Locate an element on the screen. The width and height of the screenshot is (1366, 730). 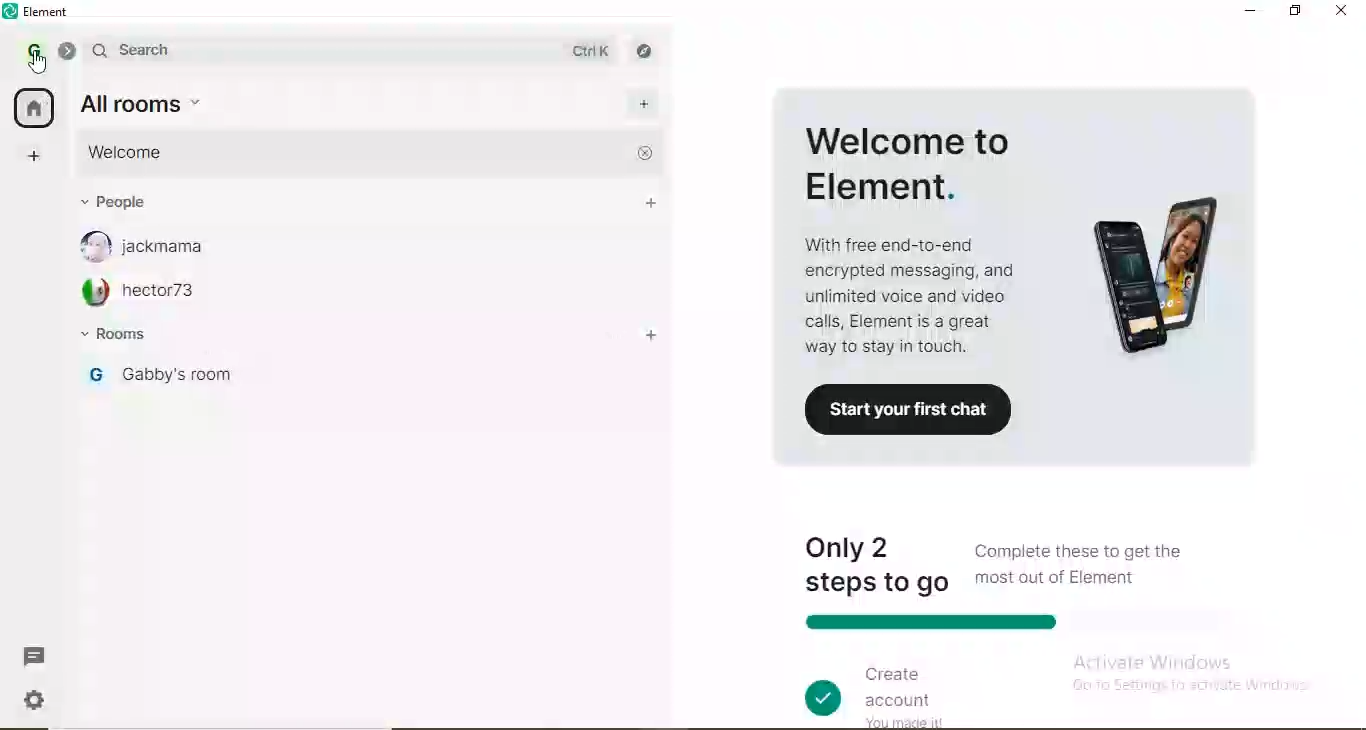
people is located at coordinates (120, 198).